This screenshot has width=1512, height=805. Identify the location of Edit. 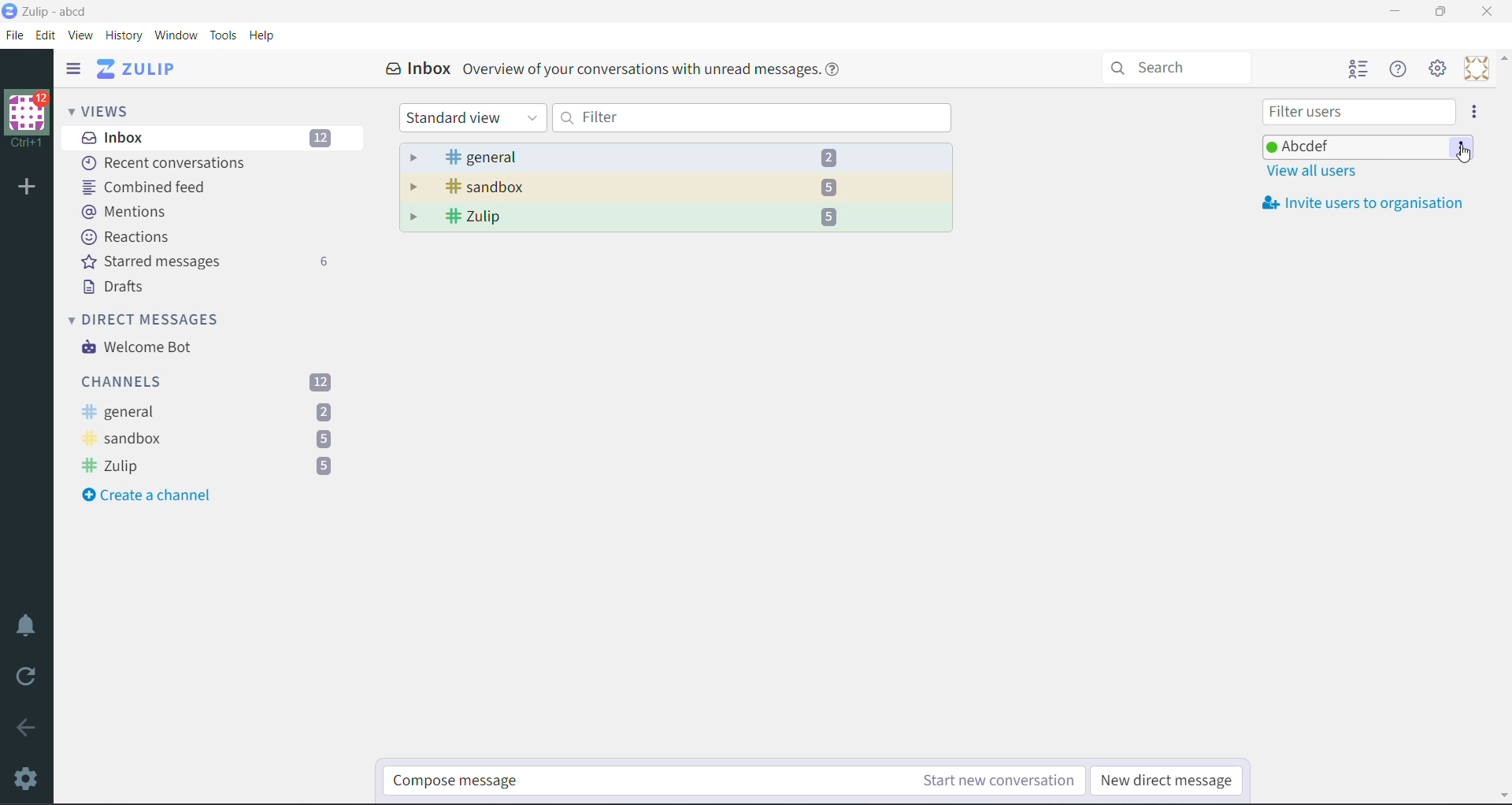
(46, 34).